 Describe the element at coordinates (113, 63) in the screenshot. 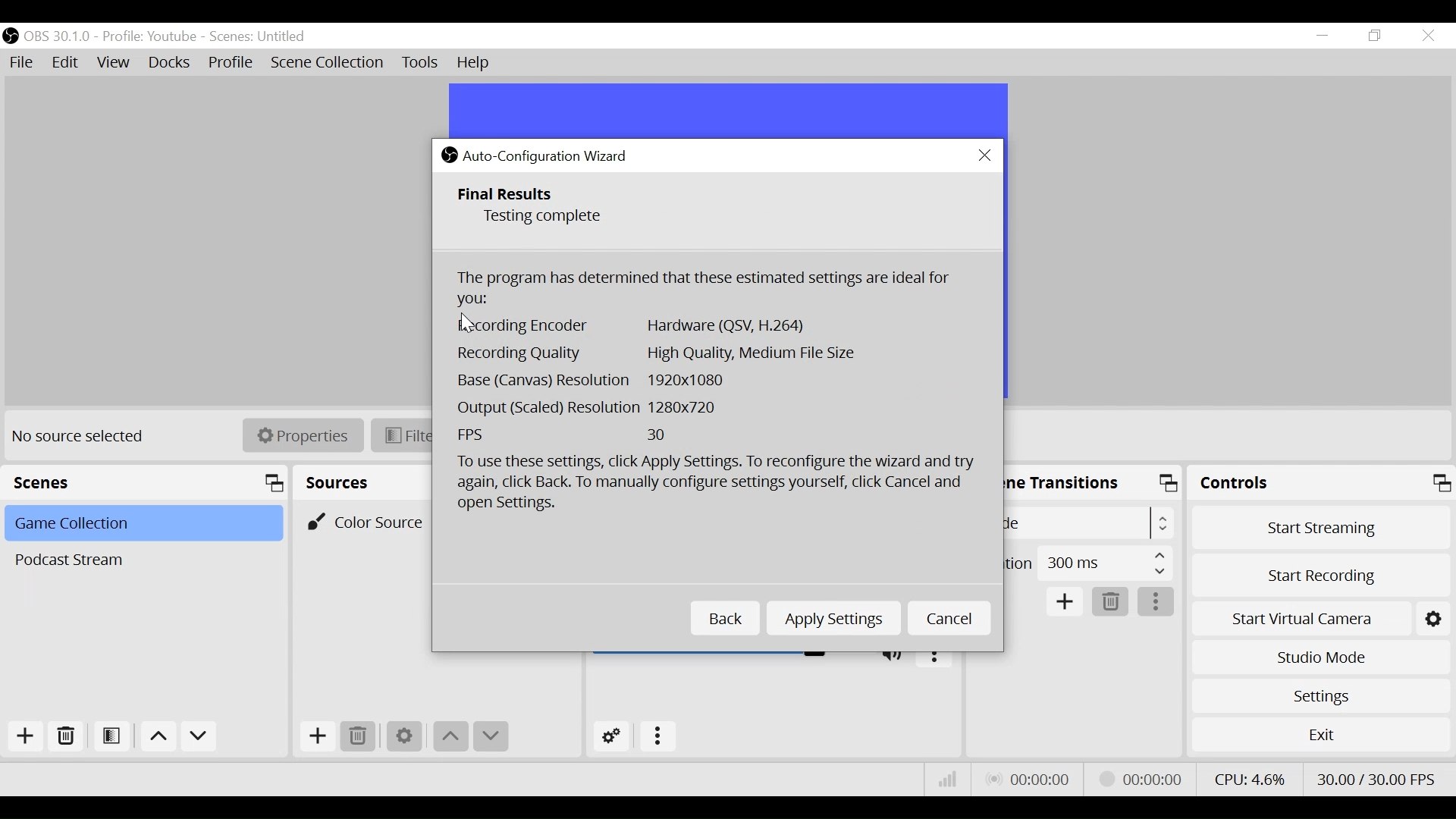

I see `View` at that location.